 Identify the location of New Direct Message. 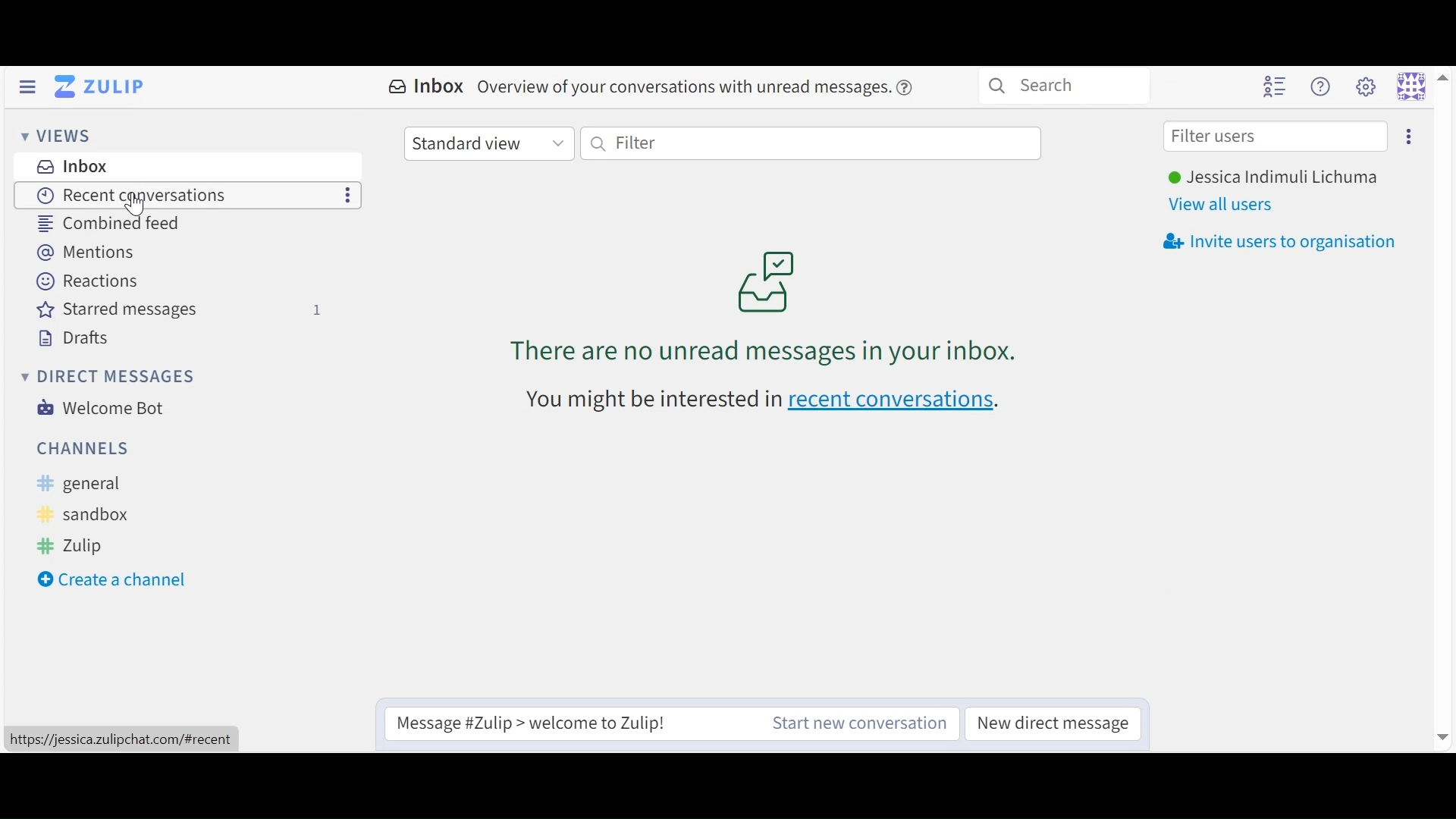
(1053, 722).